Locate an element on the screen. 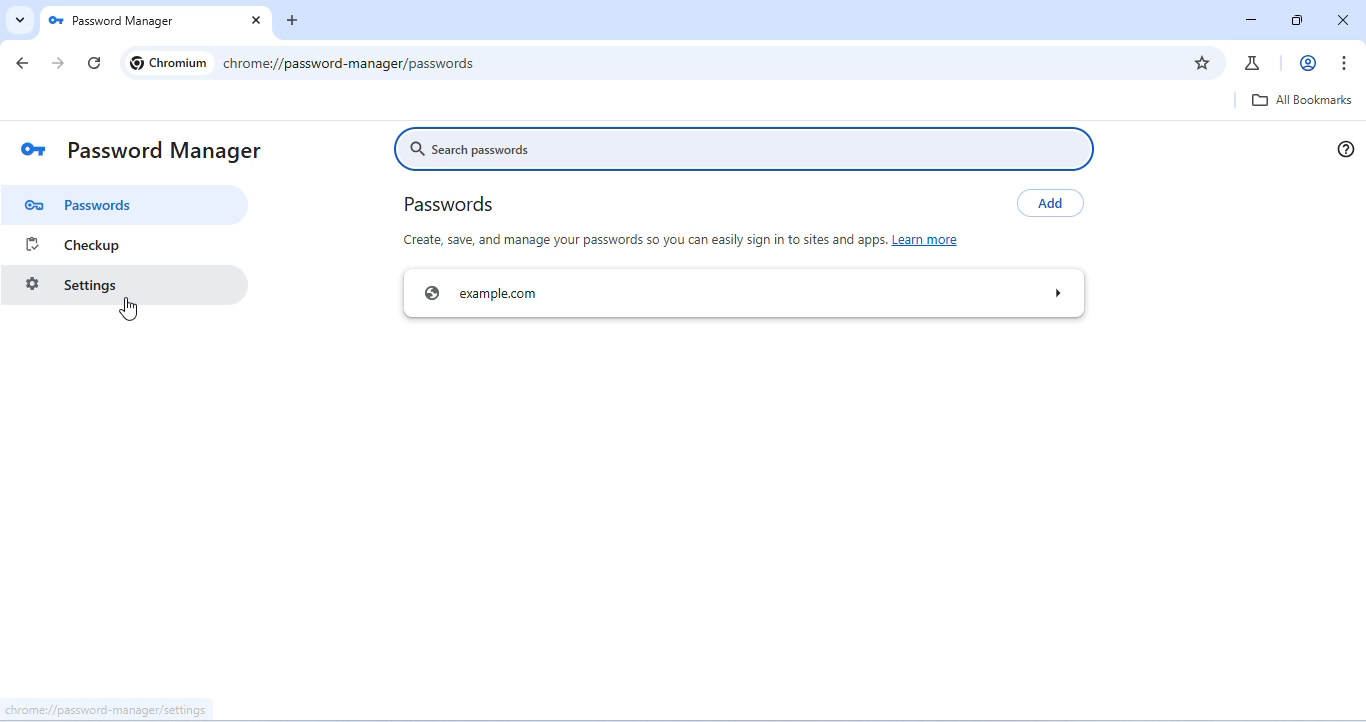  add bookmark is located at coordinates (1204, 61).